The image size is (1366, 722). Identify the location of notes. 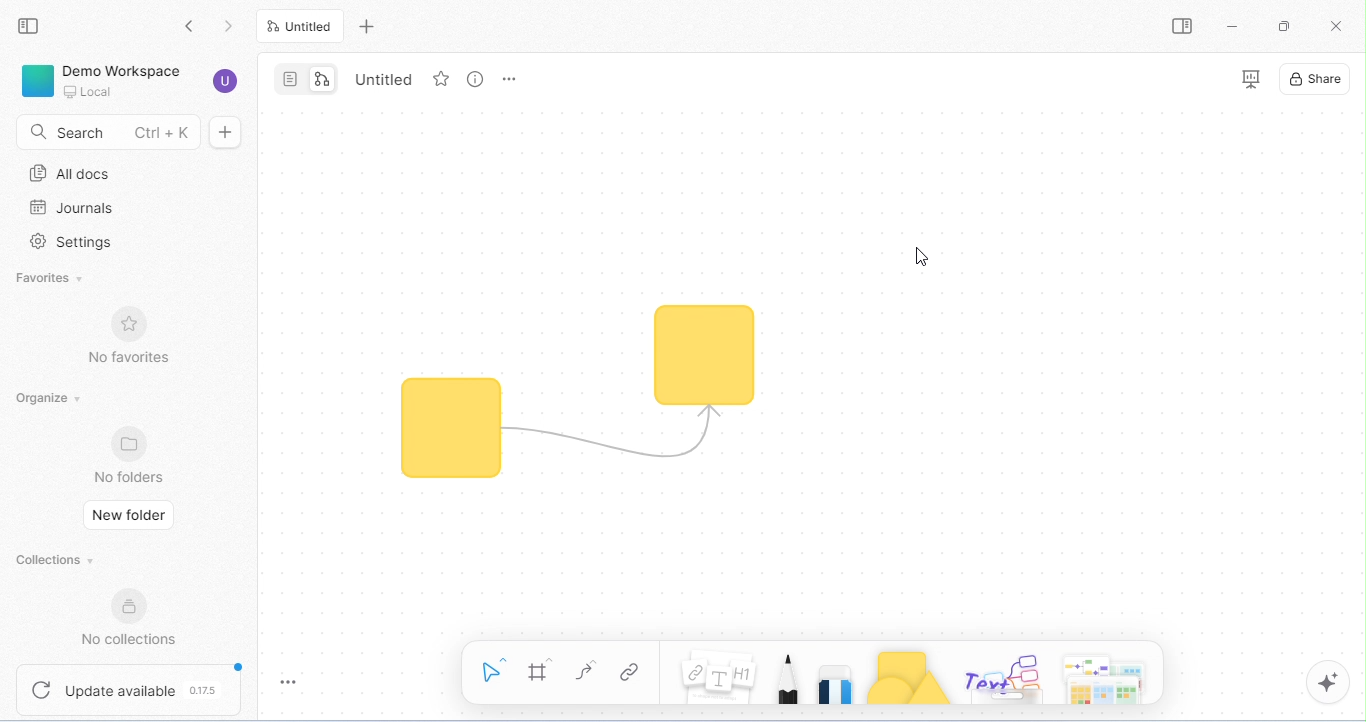
(718, 678).